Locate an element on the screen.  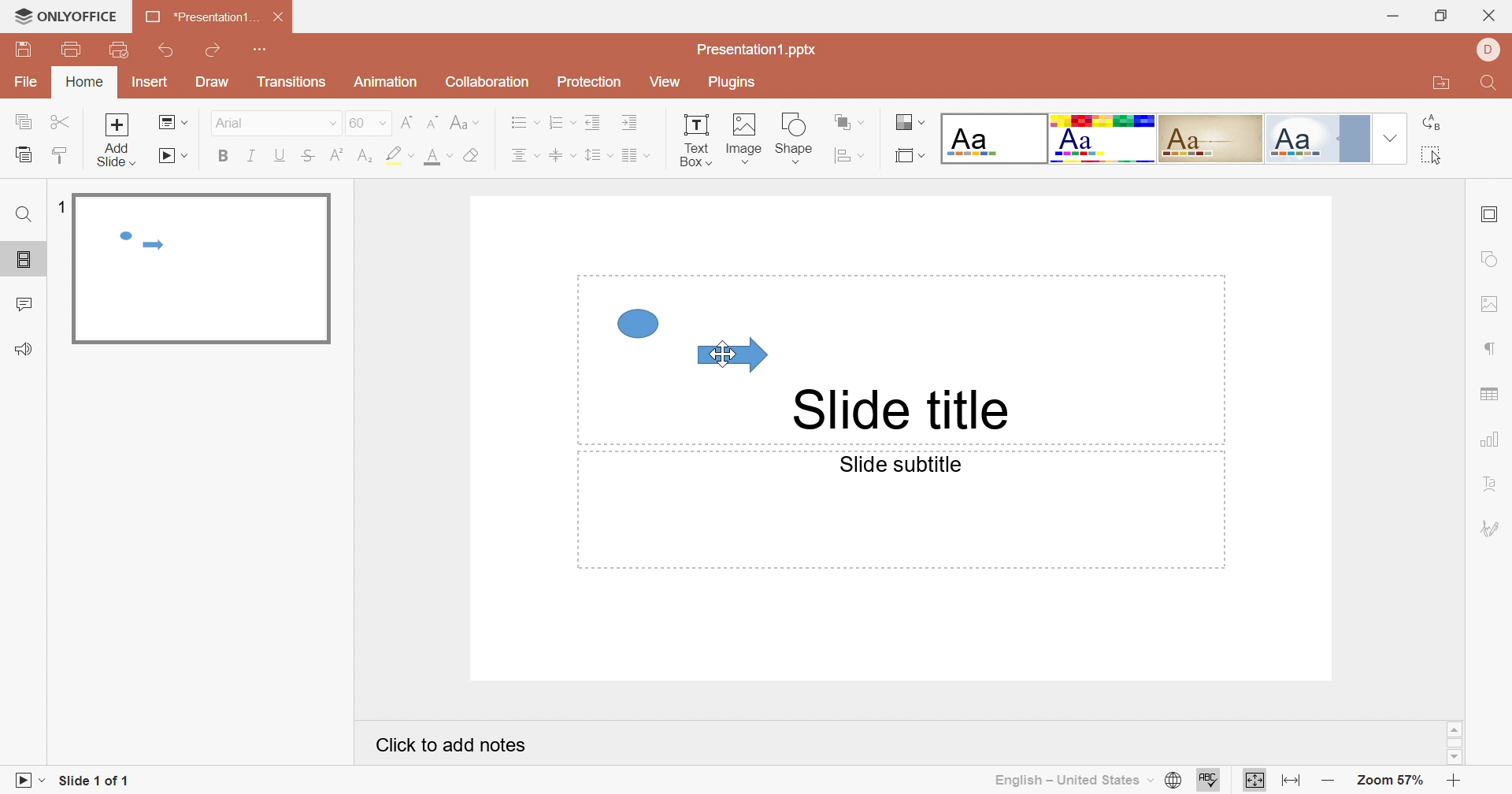
Clear is located at coordinates (473, 155).